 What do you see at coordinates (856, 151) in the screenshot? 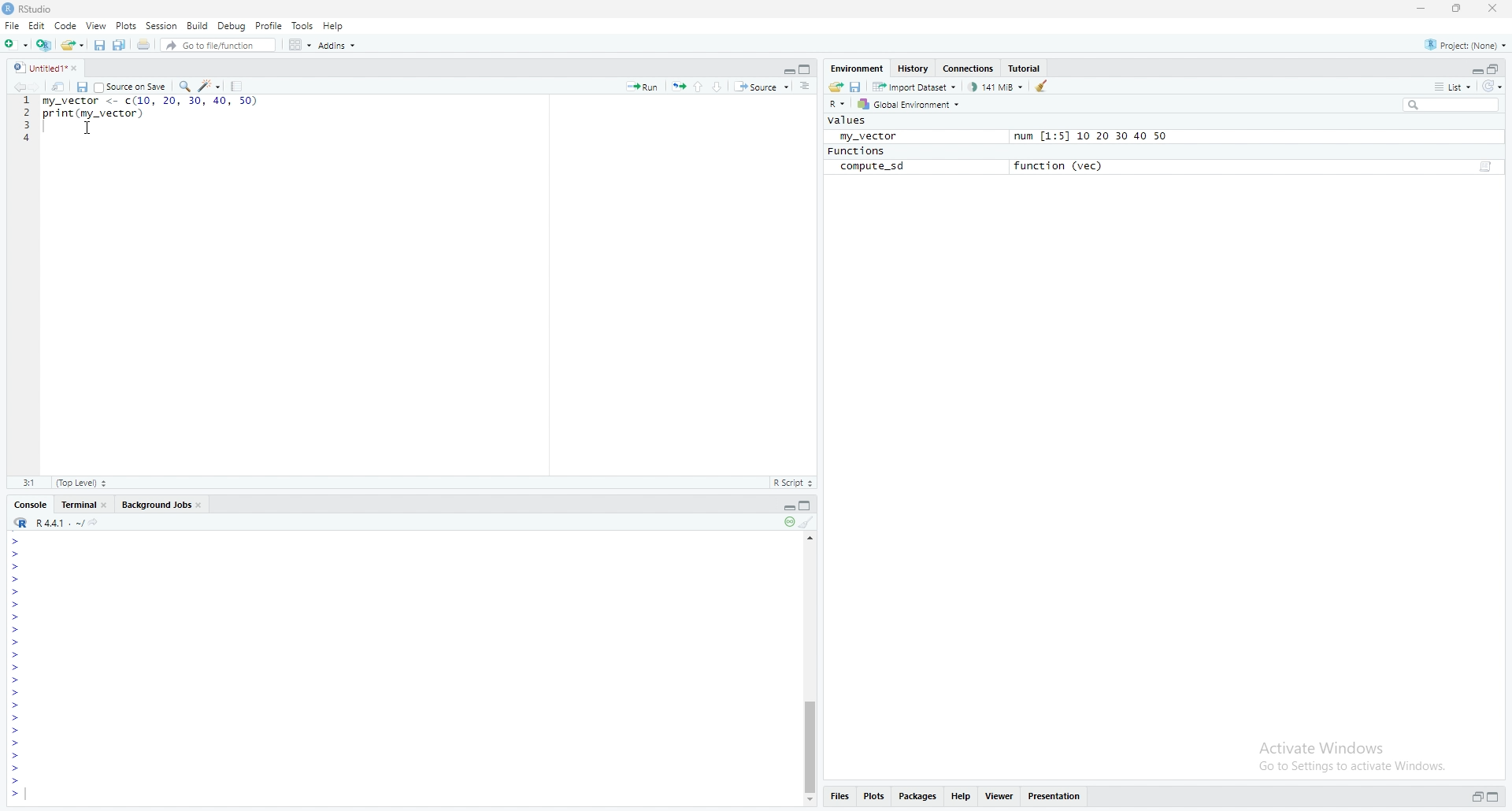
I see `Functions` at bounding box center [856, 151].